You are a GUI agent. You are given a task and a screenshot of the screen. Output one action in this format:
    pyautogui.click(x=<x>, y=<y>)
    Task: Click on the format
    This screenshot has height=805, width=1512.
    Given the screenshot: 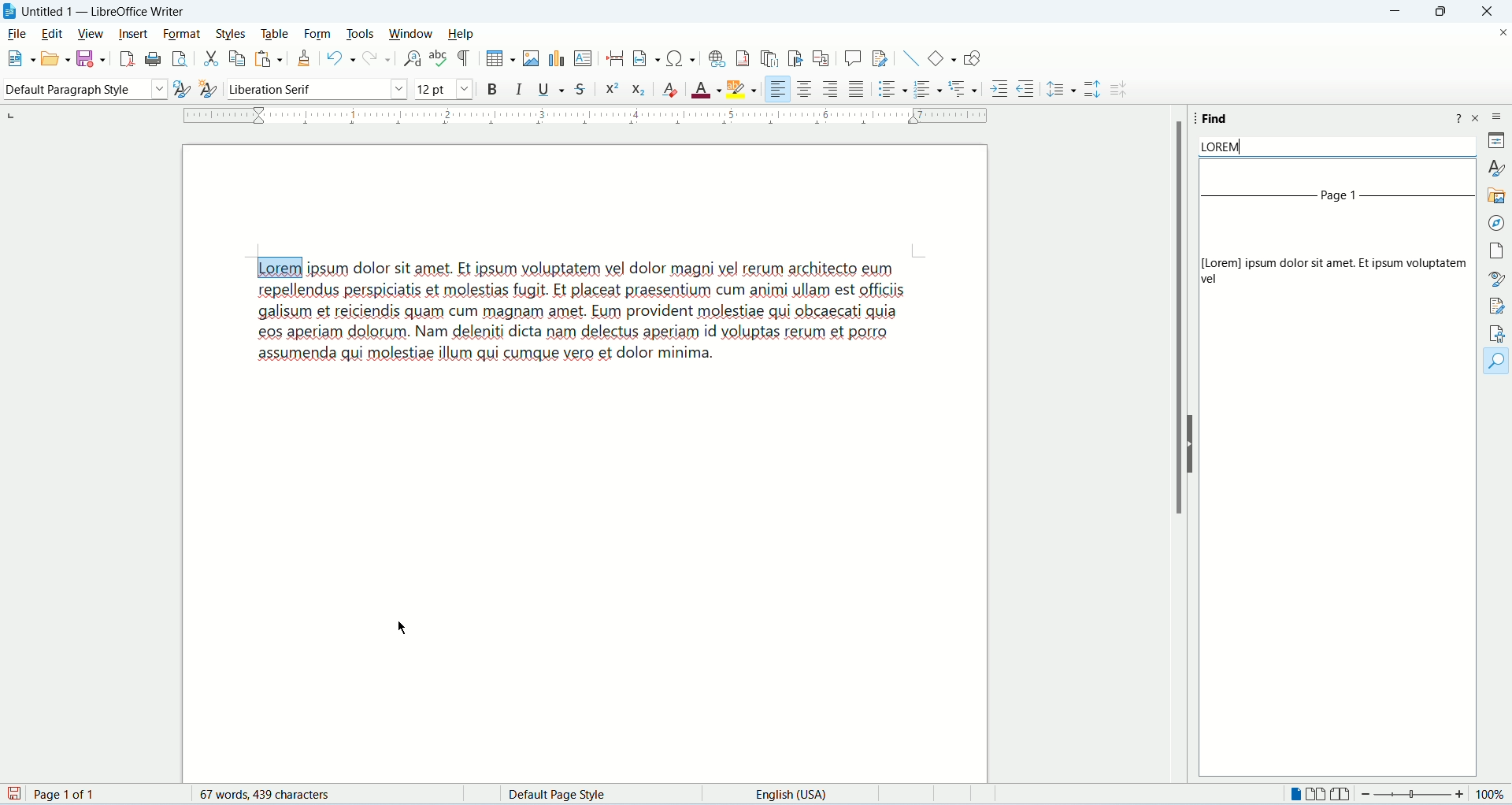 What is the action you would take?
    pyautogui.click(x=180, y=34)
    